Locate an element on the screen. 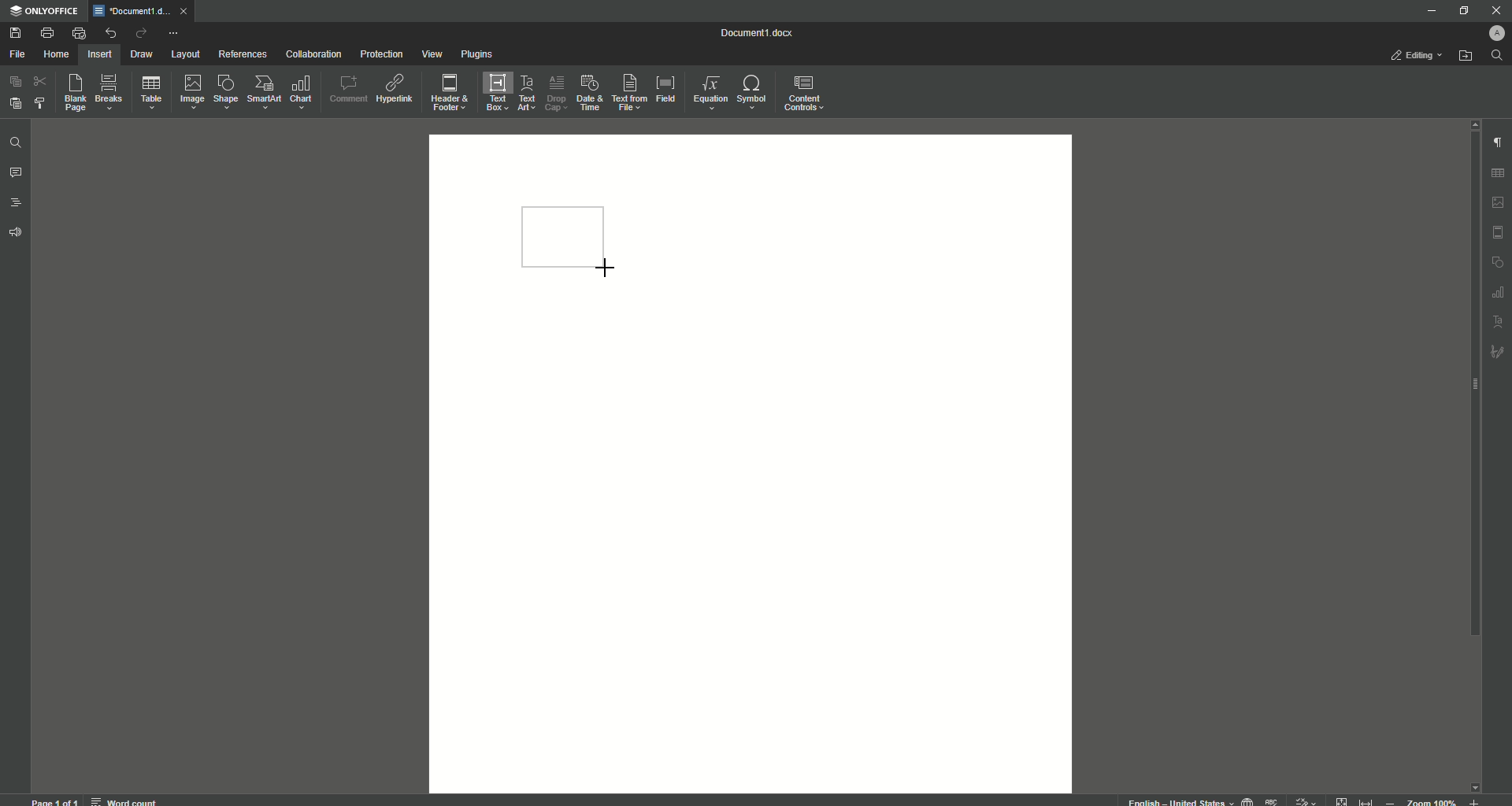 This screenshot has height=806, width=1512. HEADER & FOOTER is located at coordinates (1498, 233).